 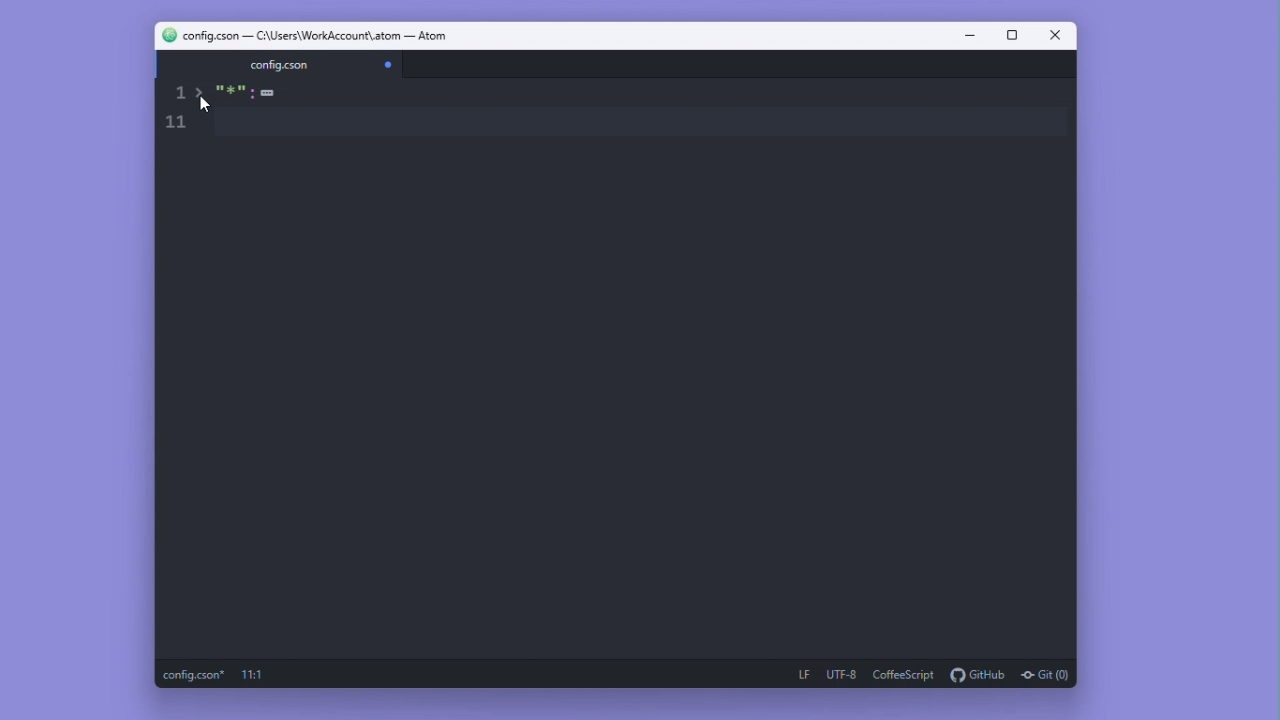 What do you see at coordinates (191, 674) in the screenshot?
I see `config.cson` at bounding box center [191, 674].